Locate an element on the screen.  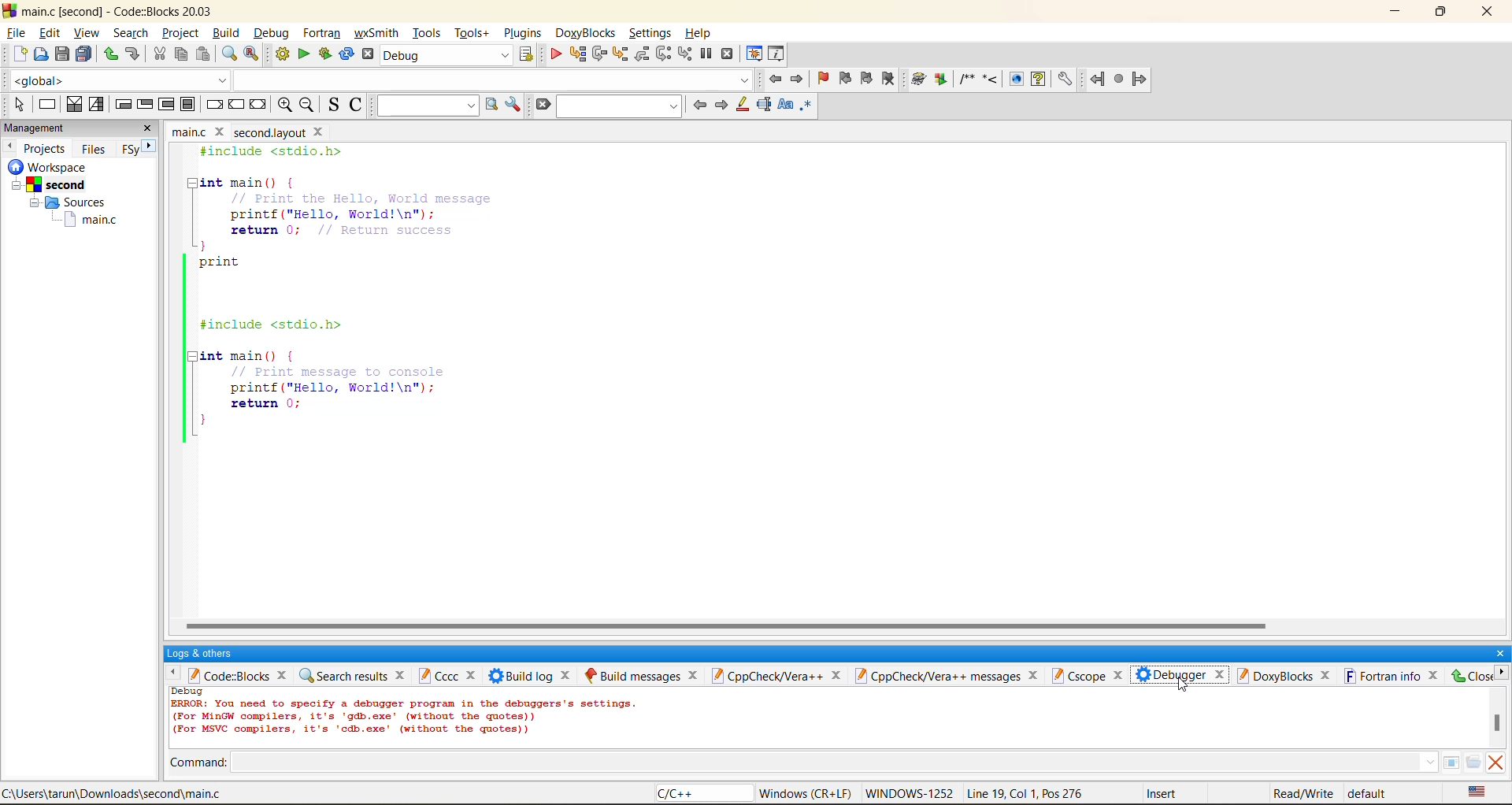
doxyblocks is located at coordinates (1284, 677).